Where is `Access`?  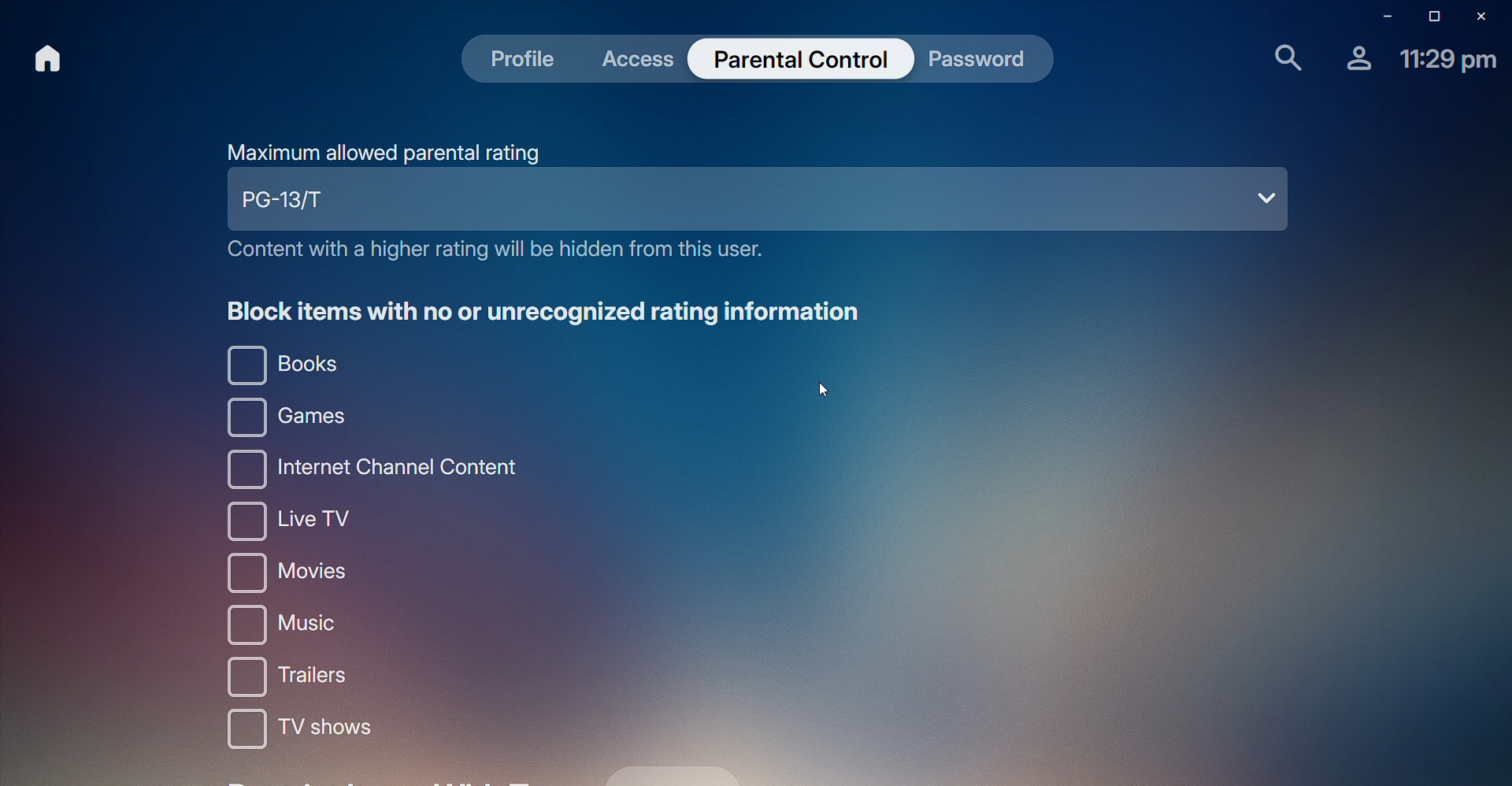
Access is located at coordinates (644, 59).